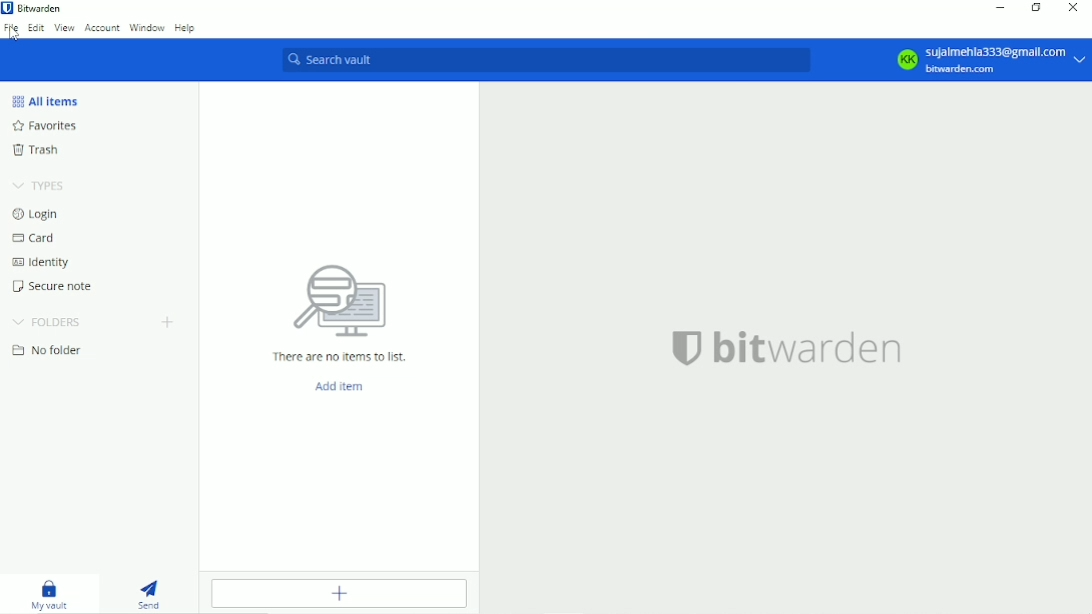  Describe the element at coordinates (169, 322) in the screenshot. I see `Create folder` at that location.